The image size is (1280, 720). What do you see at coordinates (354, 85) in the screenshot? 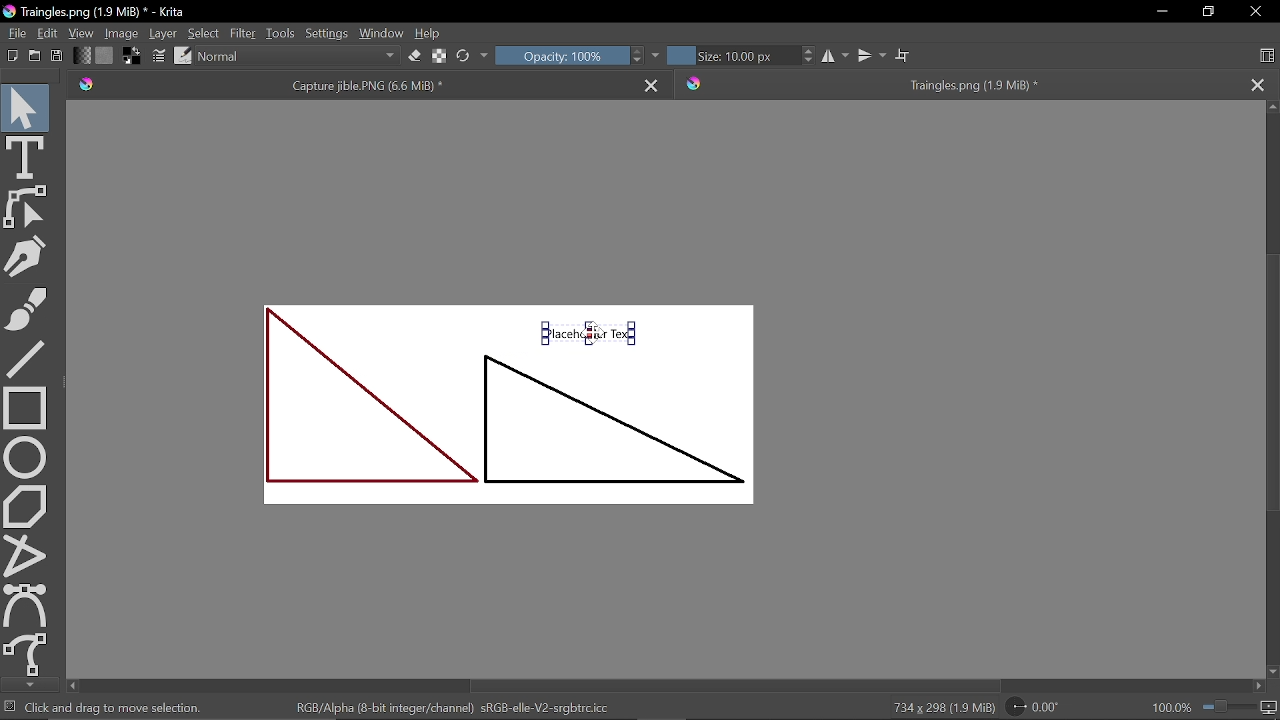
I see `Capture jible.PNG (6.6 MiB) *` at bounding box center [354, 85].